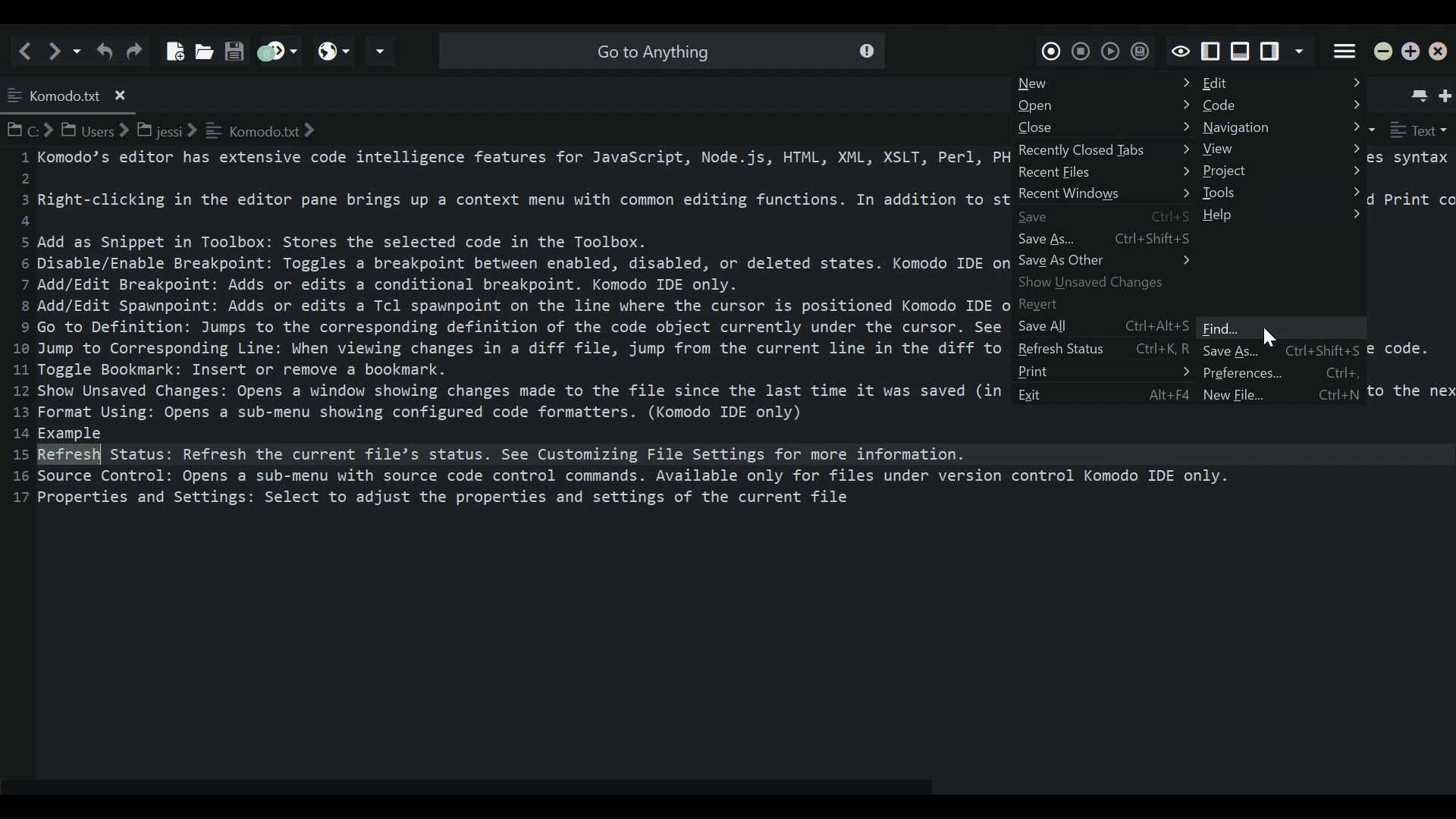  I want to click on Print, so click(1105, 372).